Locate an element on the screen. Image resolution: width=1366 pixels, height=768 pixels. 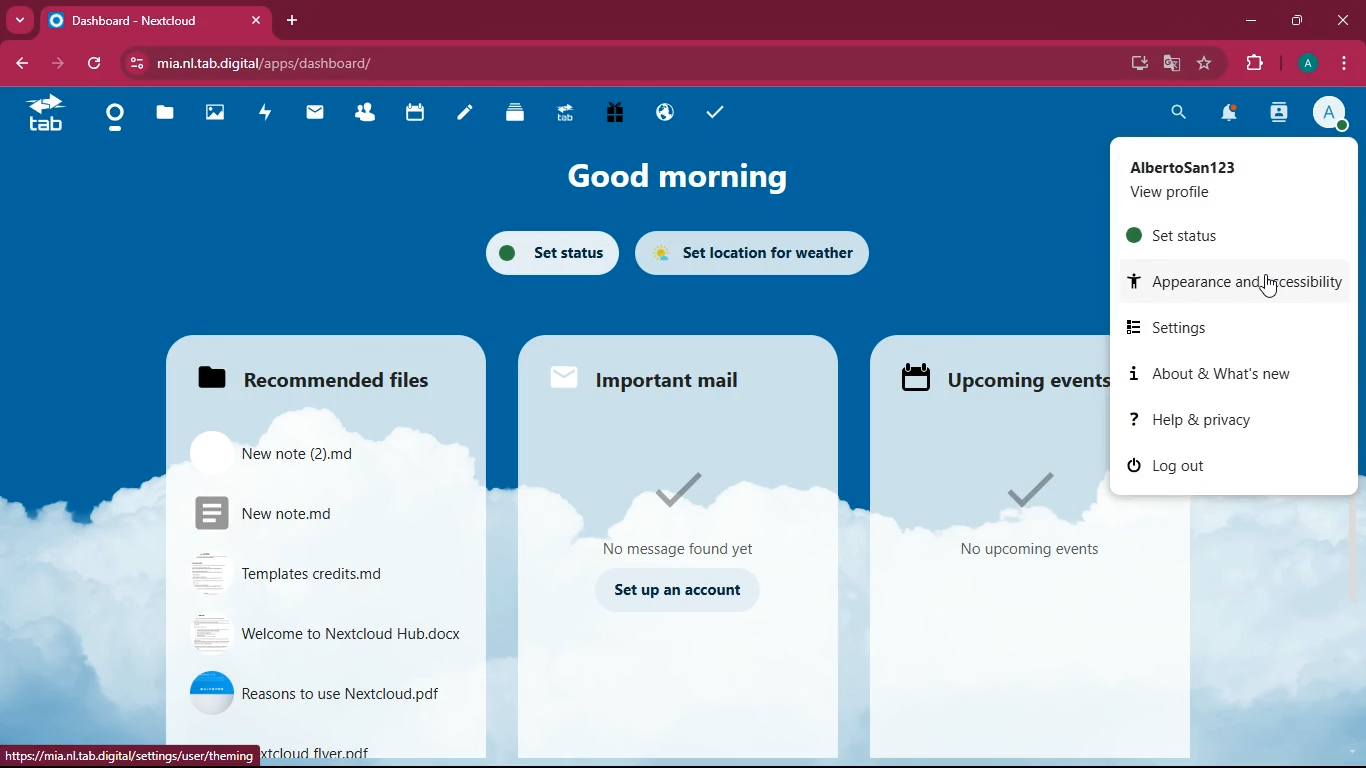
public is located at coordinates (662, 112).